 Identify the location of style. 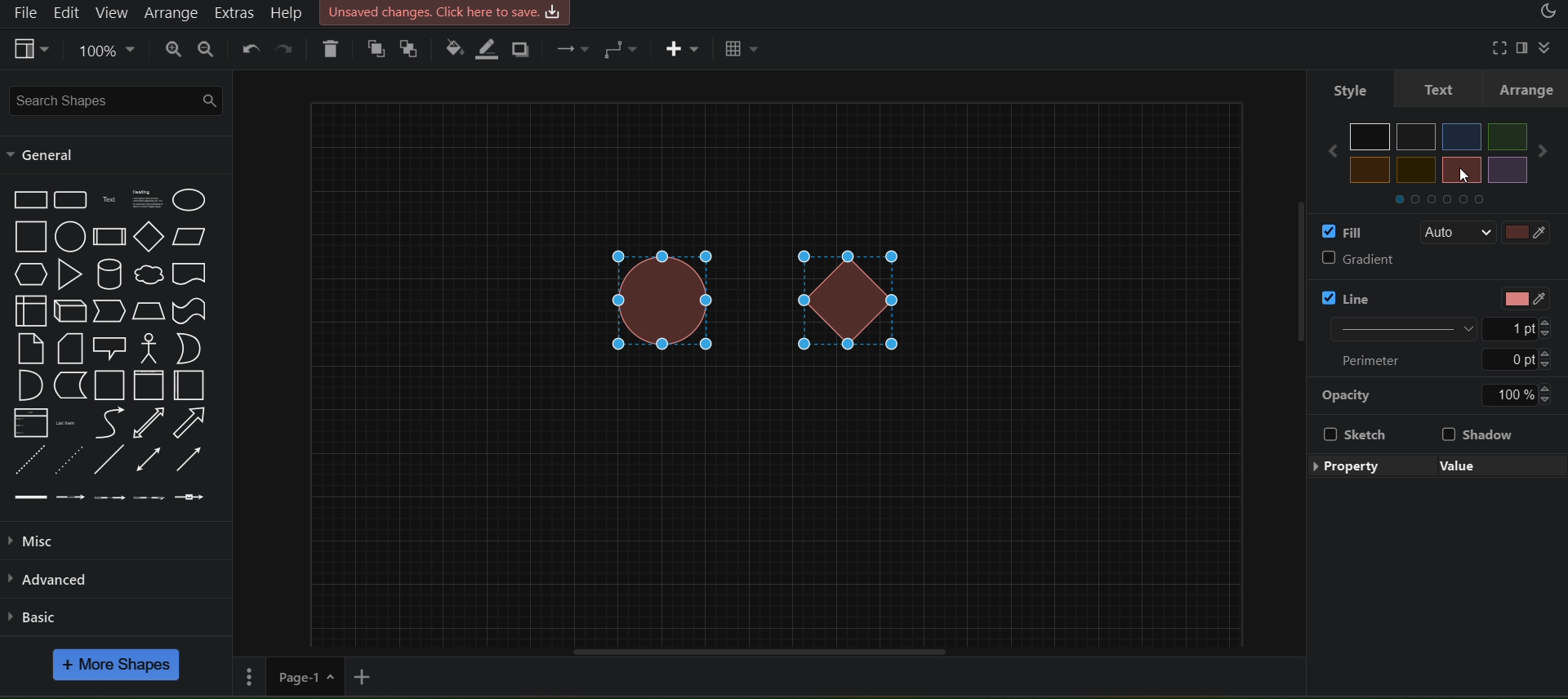
(1346, 88).